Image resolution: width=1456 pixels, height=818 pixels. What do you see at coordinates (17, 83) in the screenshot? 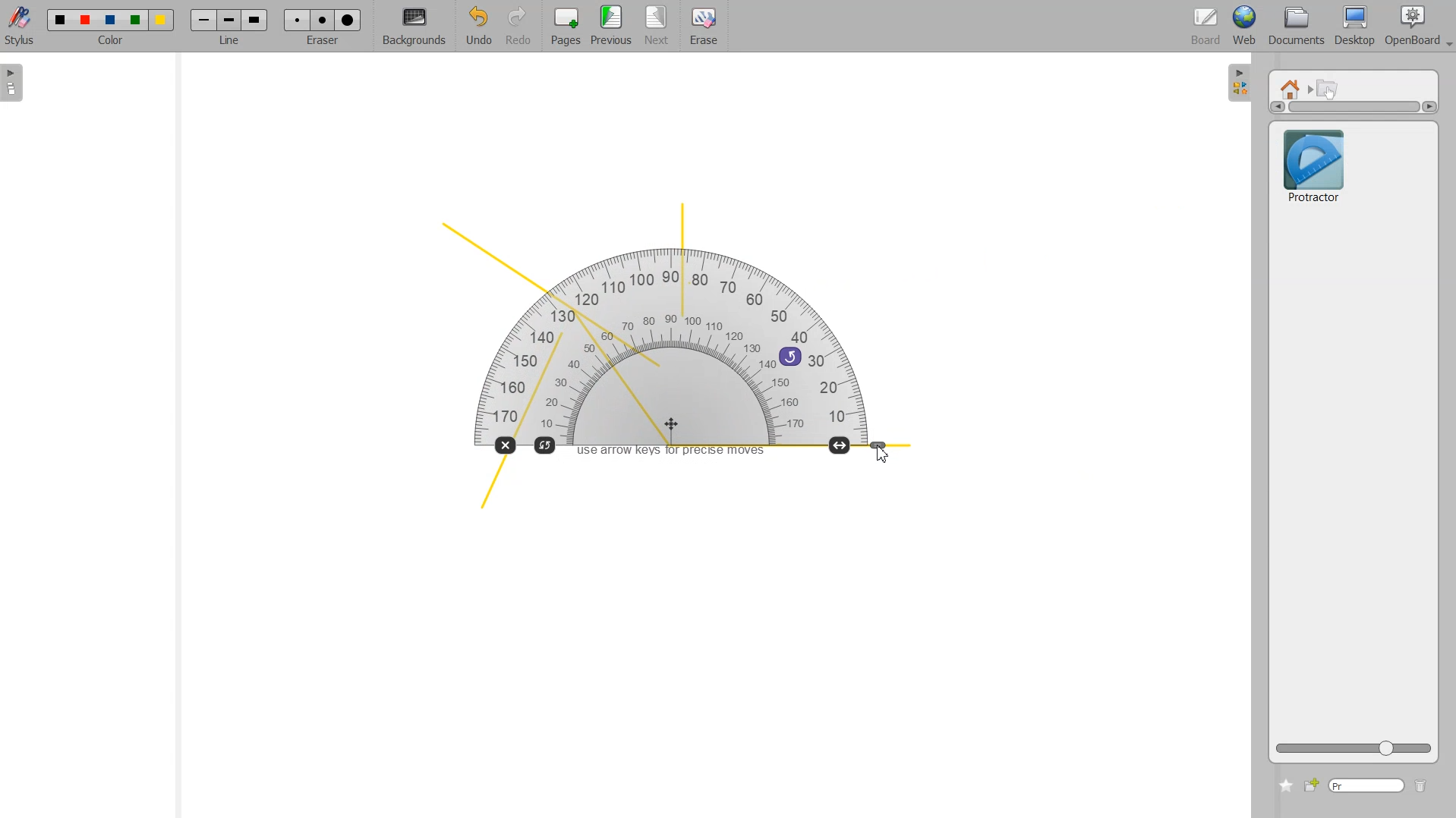
I see `Sidebar` at bounding box center [17, 83].